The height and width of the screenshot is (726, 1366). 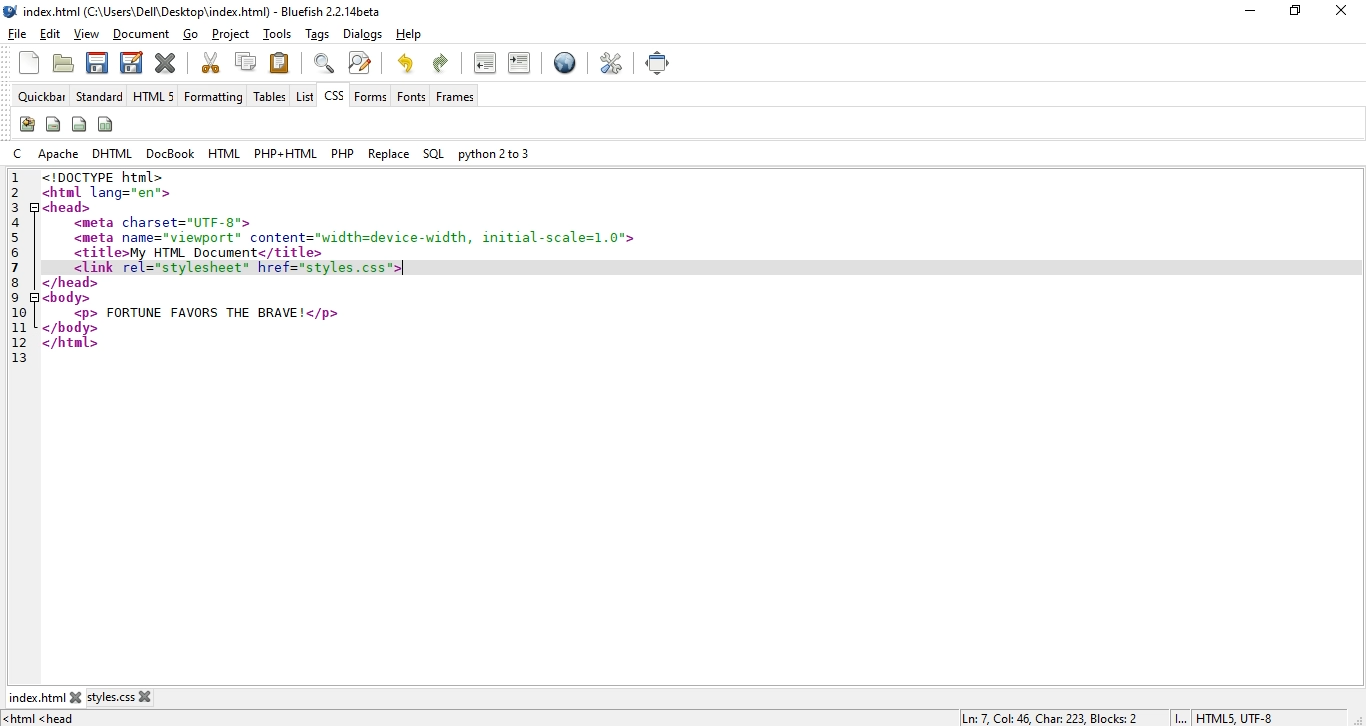 I want to click on 5, so click(x=28, y=238).